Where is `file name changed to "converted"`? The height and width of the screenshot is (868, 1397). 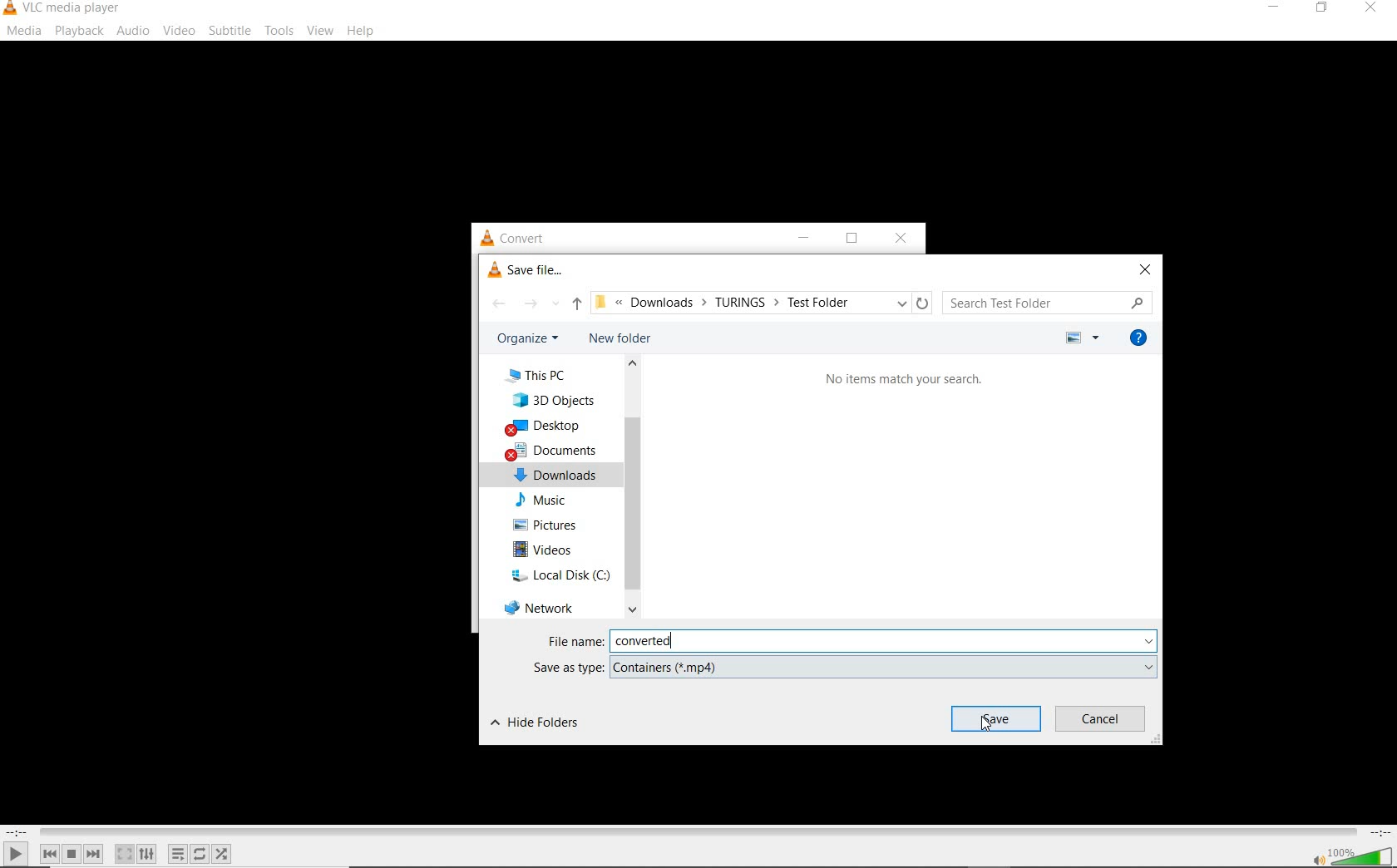 file name changed to "converted" is located at coordinates (883, 642).